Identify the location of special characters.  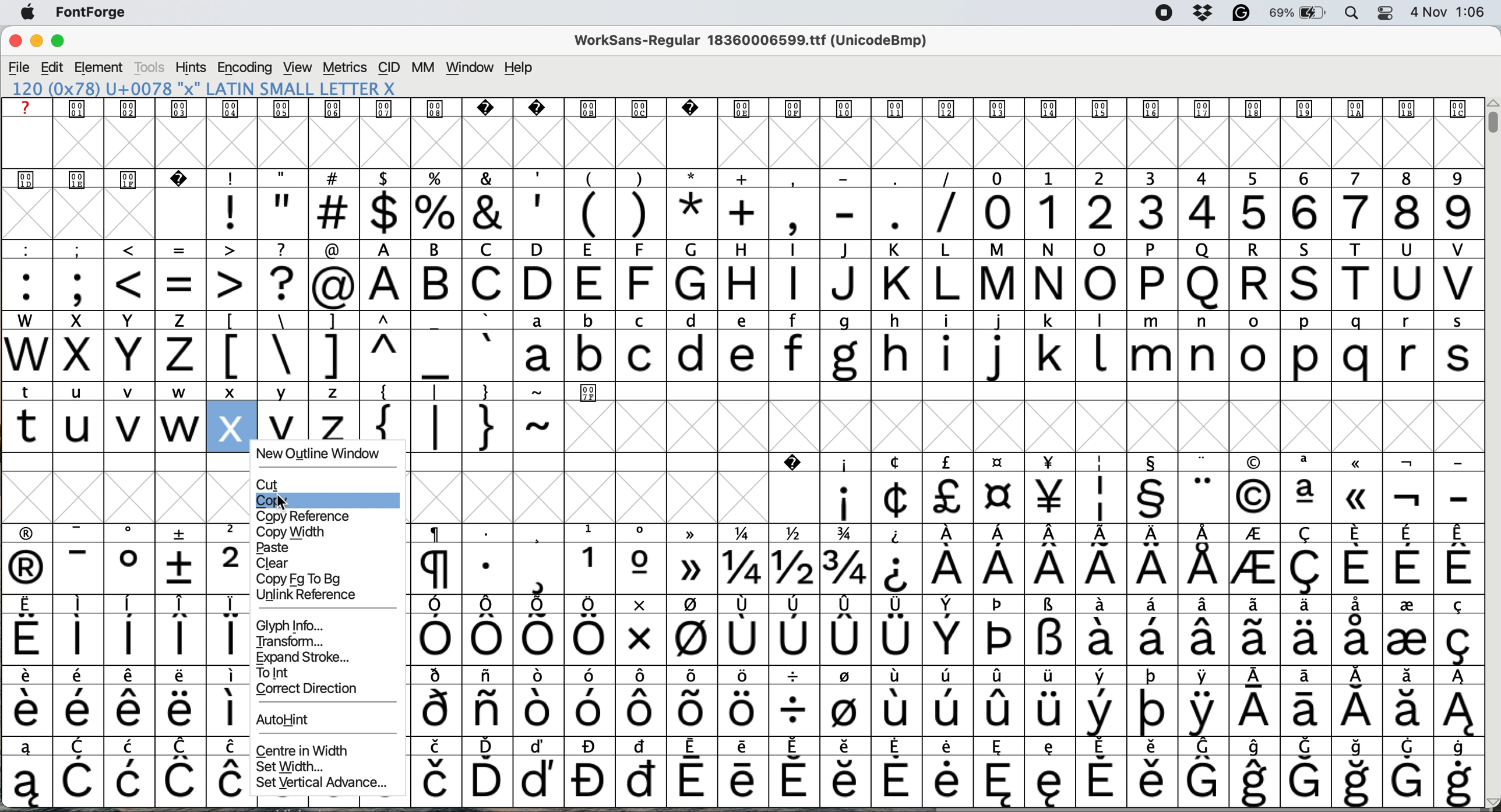
(946, 781).